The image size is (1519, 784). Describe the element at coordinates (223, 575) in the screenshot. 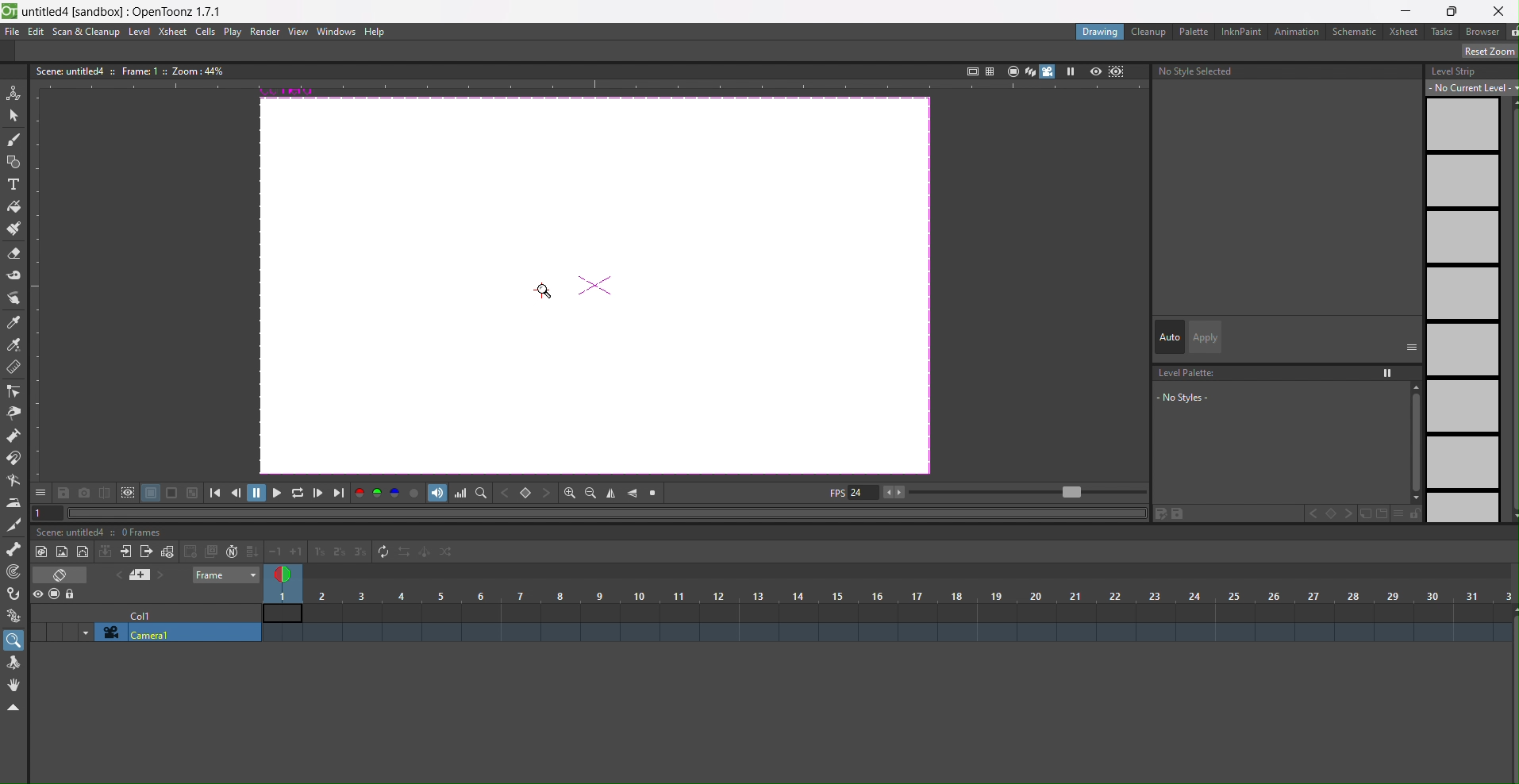

I see `frame` at that location.